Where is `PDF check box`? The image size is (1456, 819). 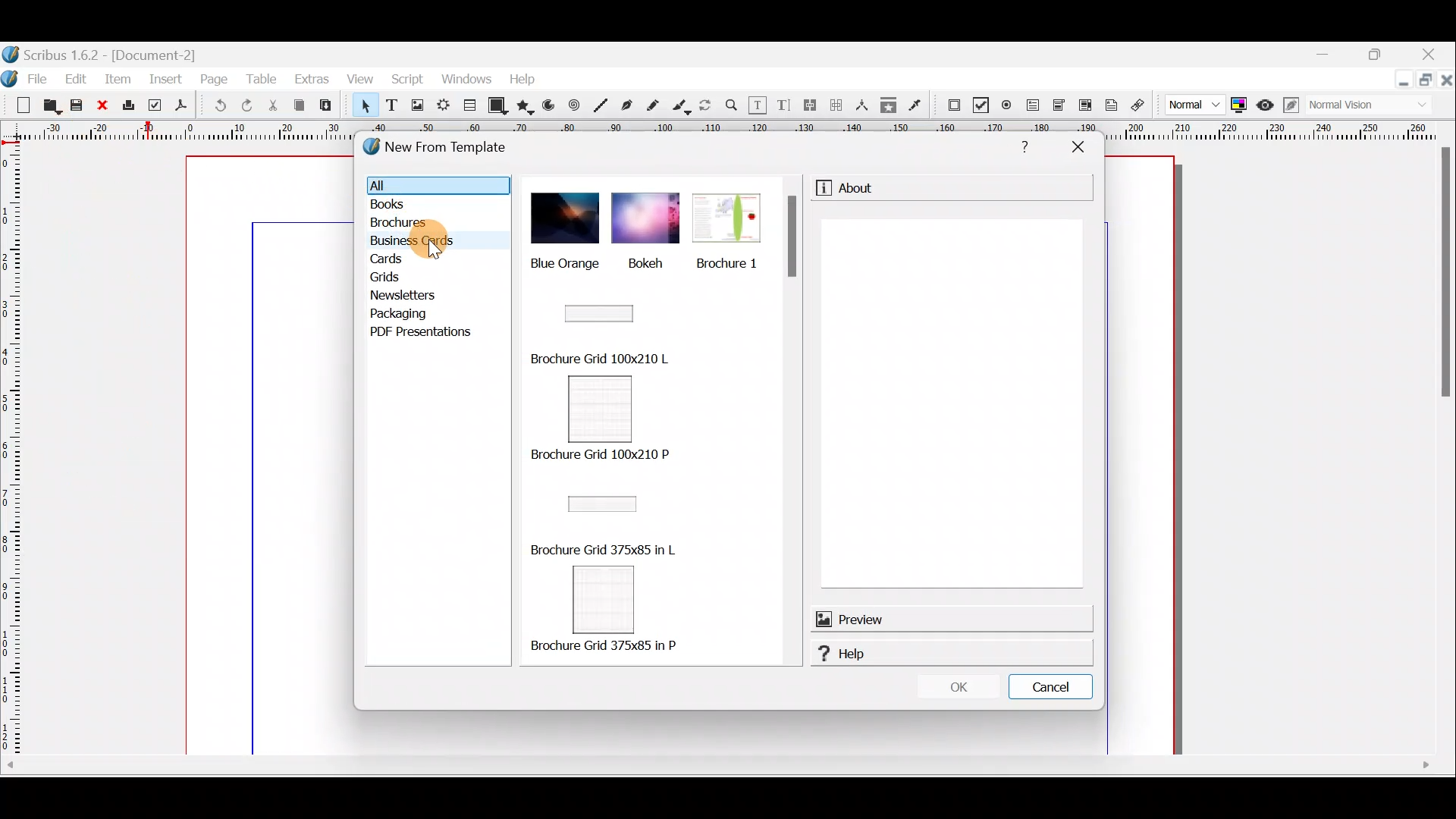 PDF check box is located at coordinates (979, 105).